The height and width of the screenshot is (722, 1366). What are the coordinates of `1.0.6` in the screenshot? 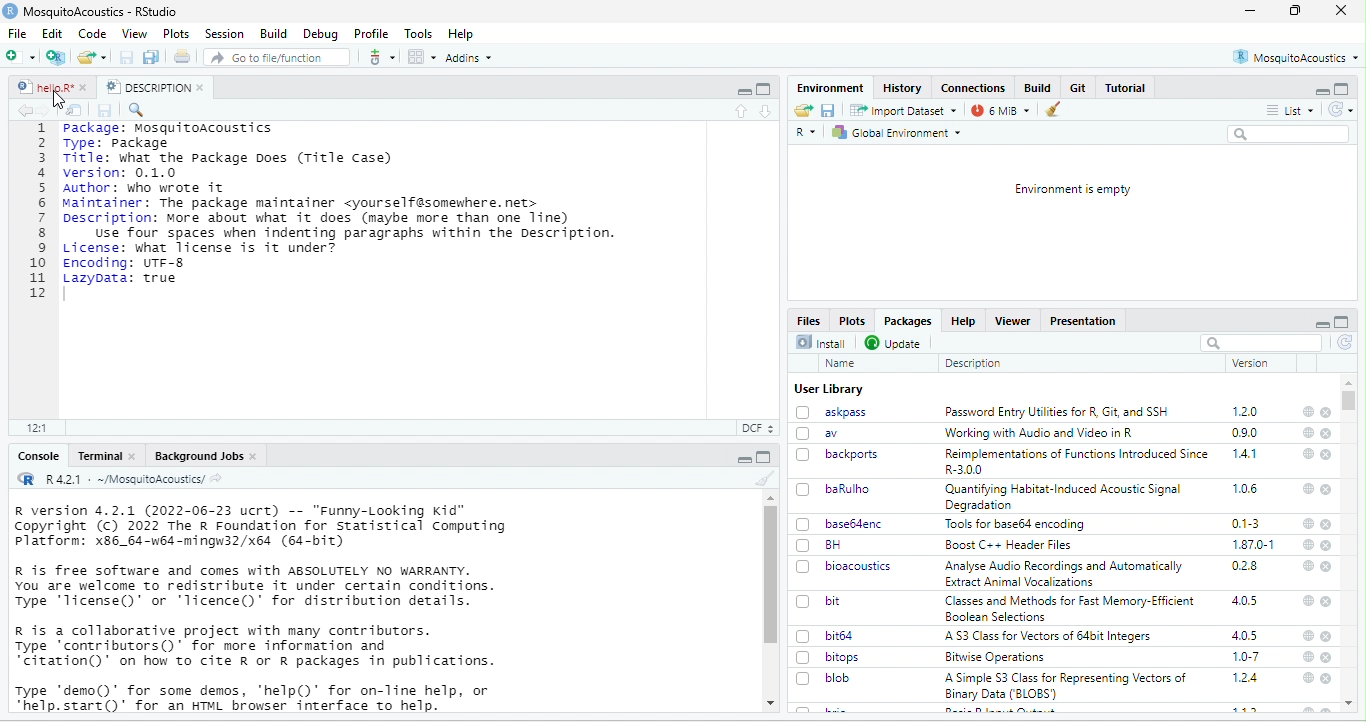 It's located at (1244, 488).